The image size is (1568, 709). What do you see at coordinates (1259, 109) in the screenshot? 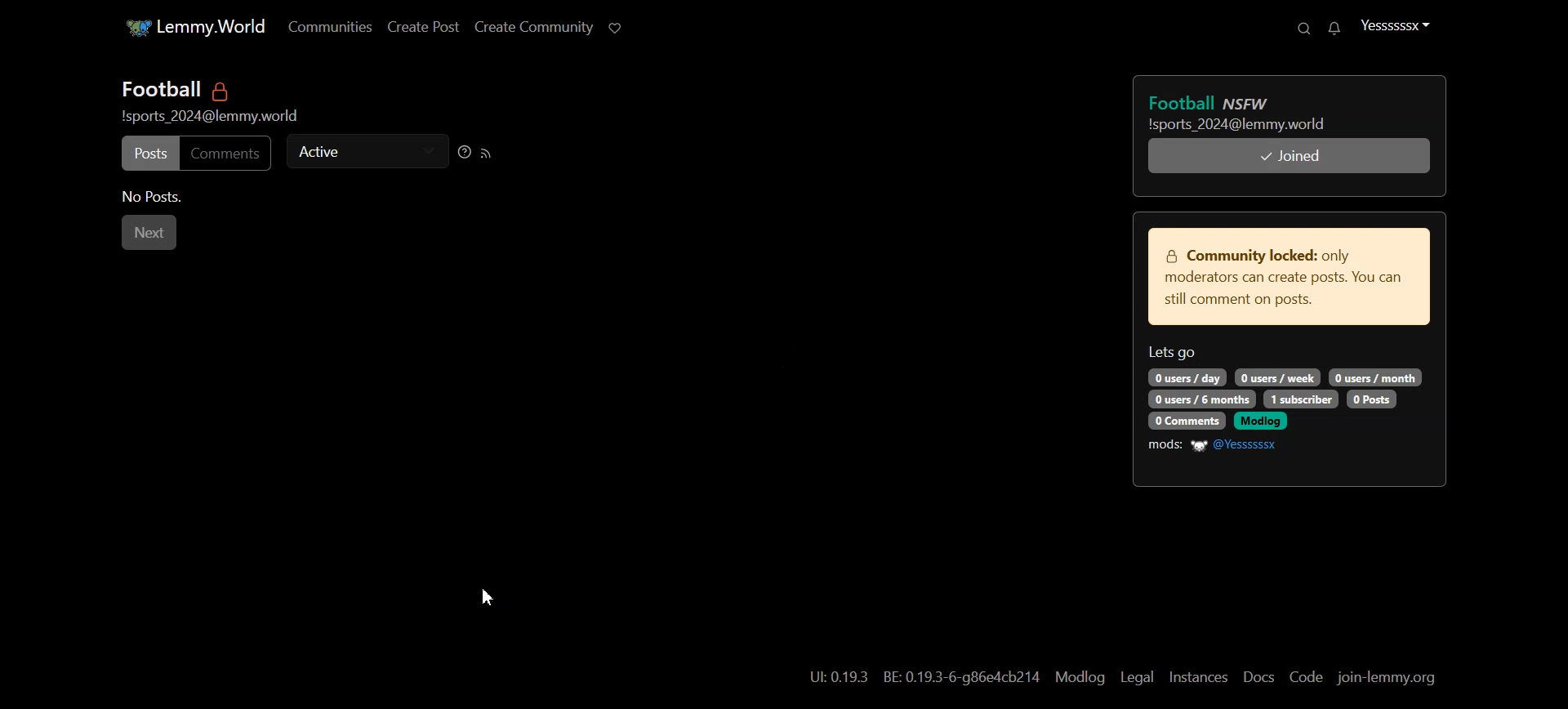
I see `Post` at bounding box center [1259, 109].